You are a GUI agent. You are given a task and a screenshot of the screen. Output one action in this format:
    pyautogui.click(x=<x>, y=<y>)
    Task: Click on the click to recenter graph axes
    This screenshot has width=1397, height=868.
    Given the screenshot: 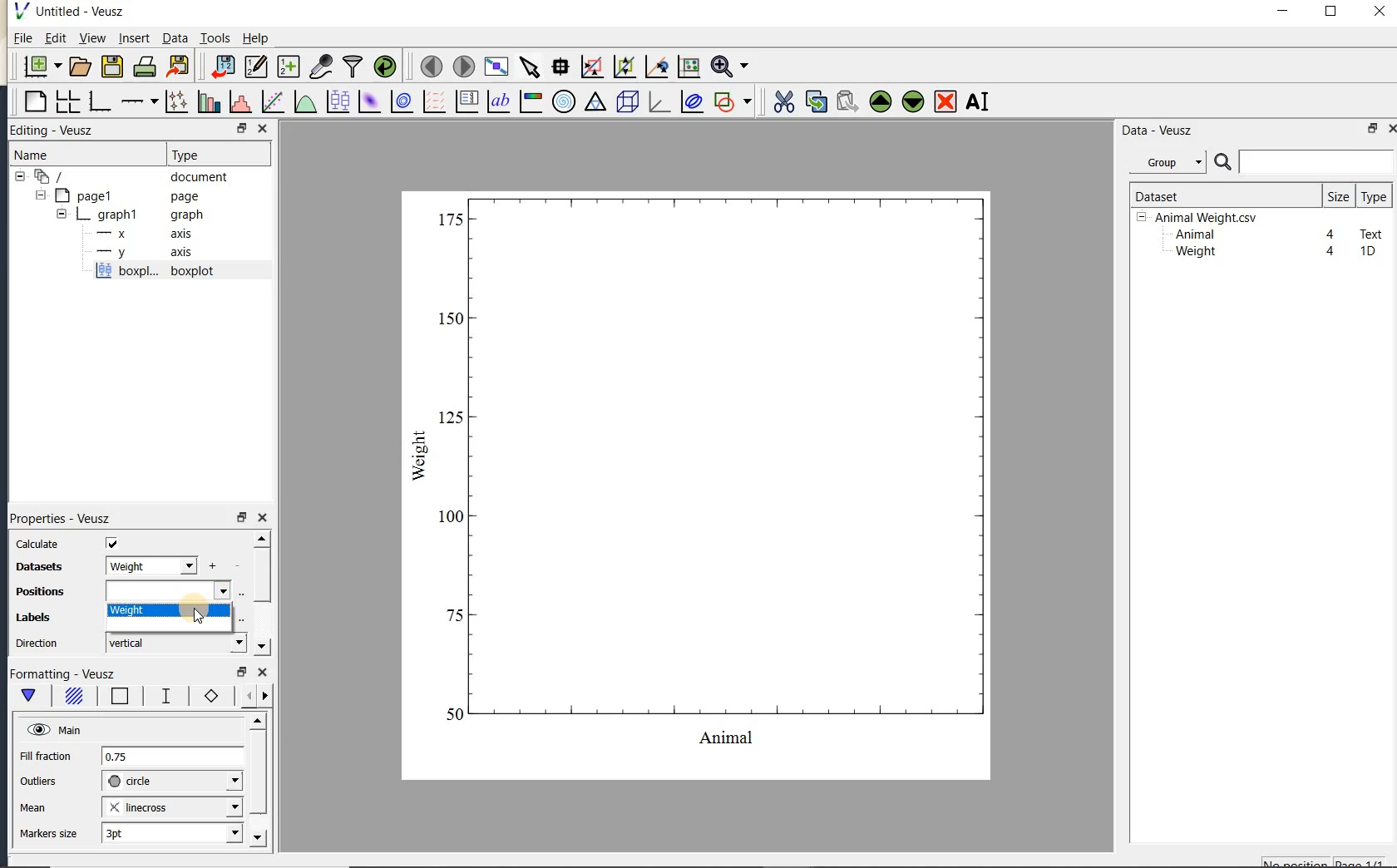 What is the action you would take?
    pyautogui.click(x=657, y=67)
    